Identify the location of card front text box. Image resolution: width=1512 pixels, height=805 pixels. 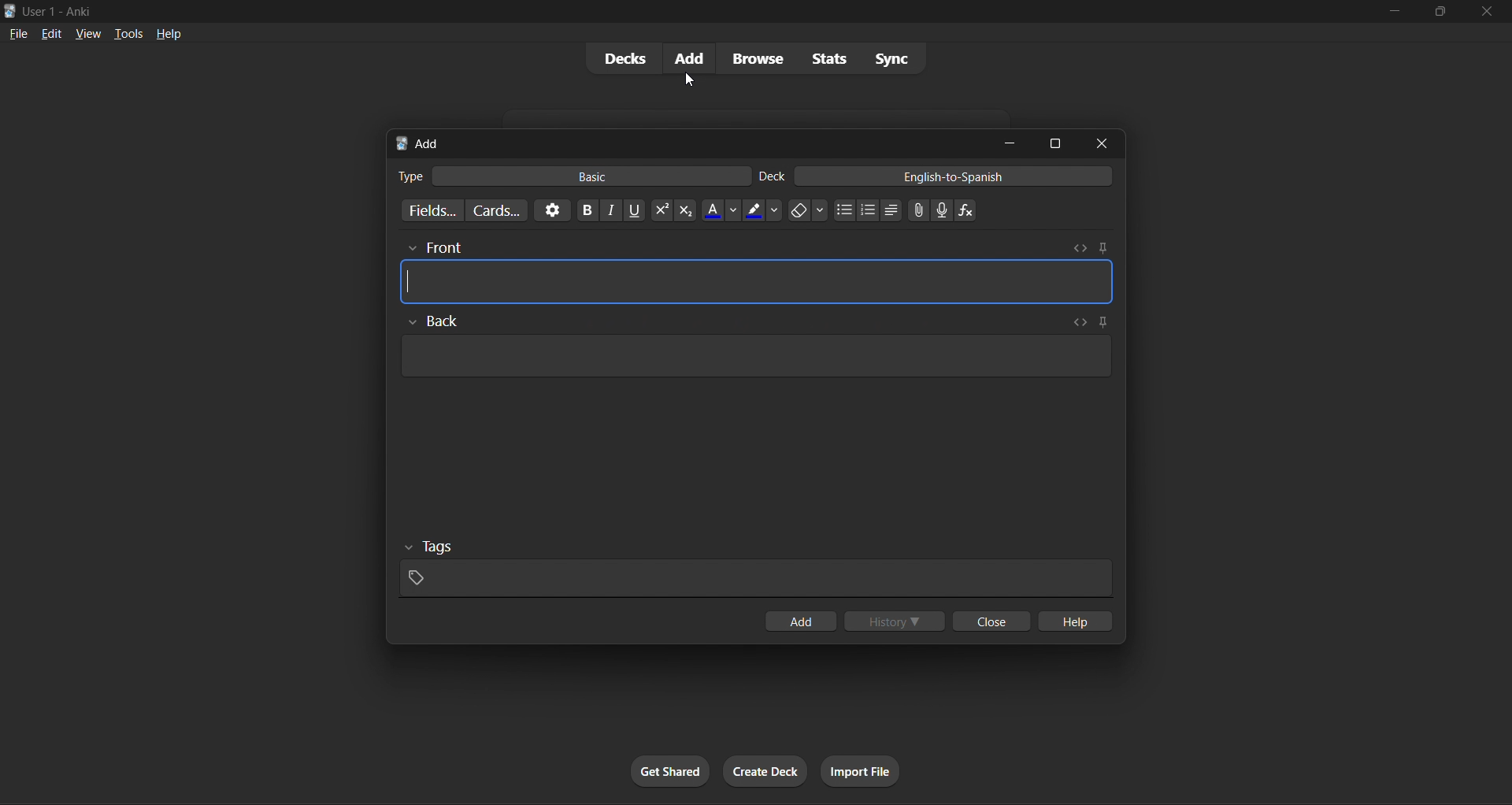
(759, 275).